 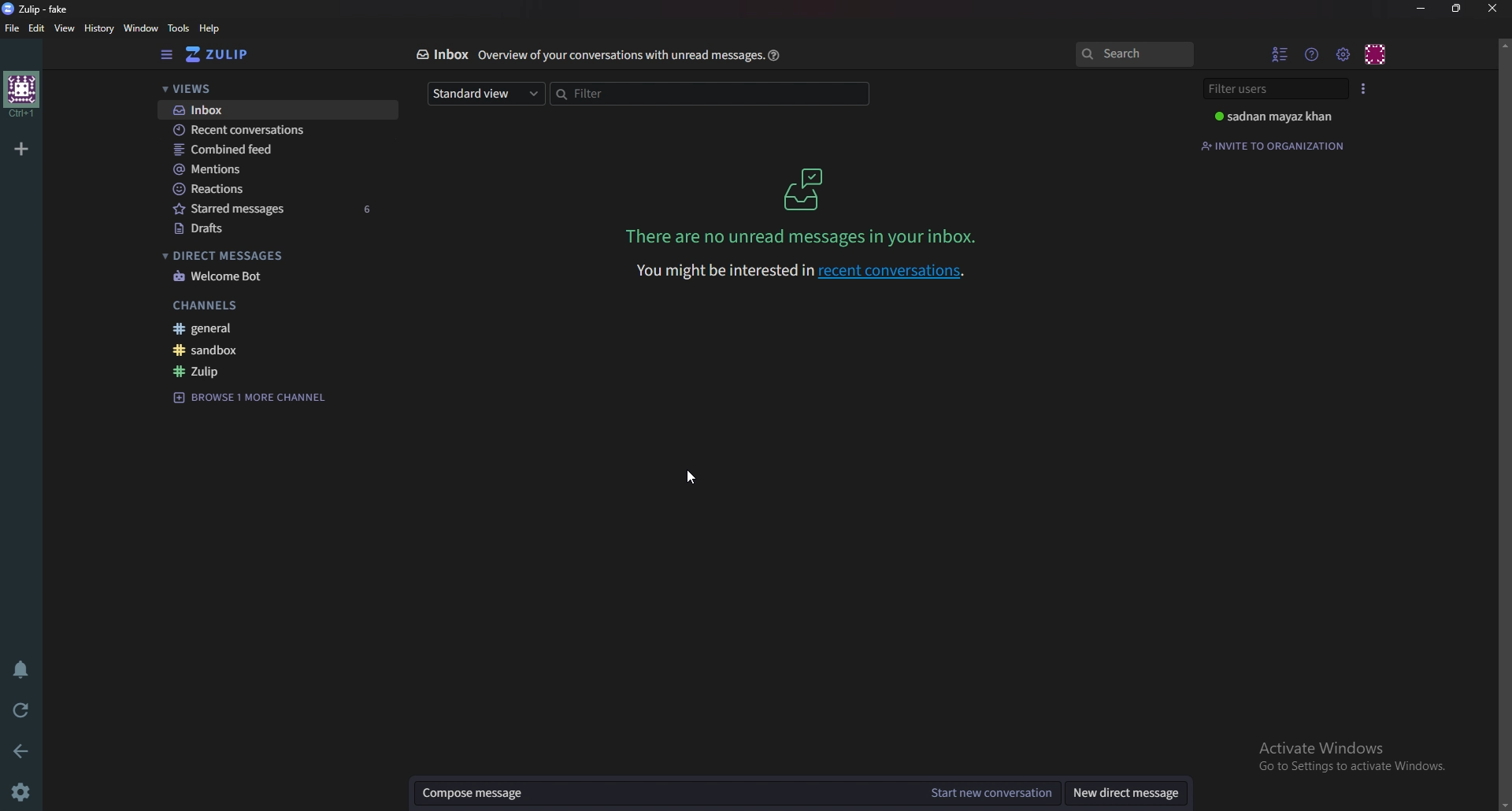 I want to click on Window, so click(x=143, y=28).